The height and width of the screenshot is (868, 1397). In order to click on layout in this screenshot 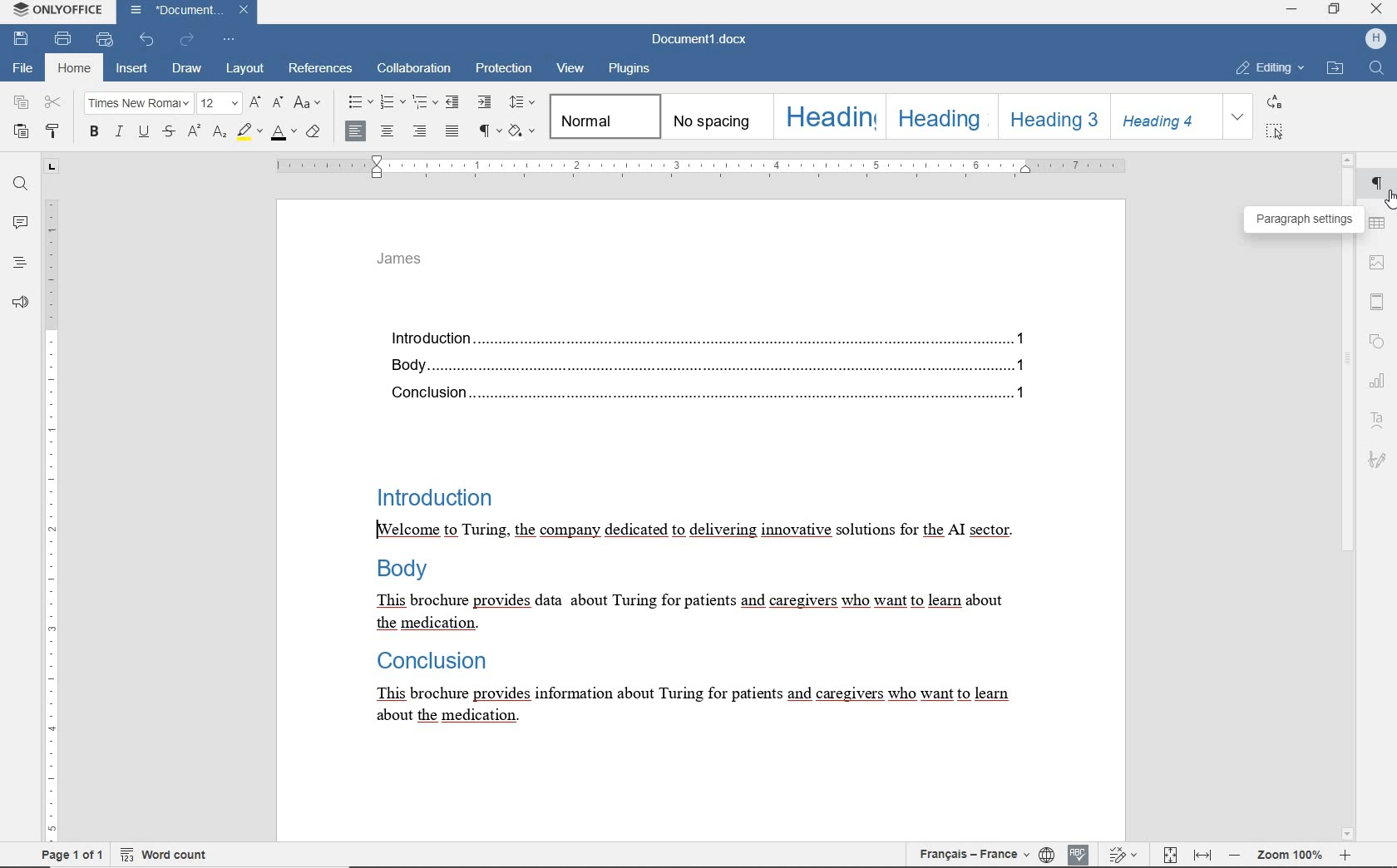, I will do `click(243, 70)`.